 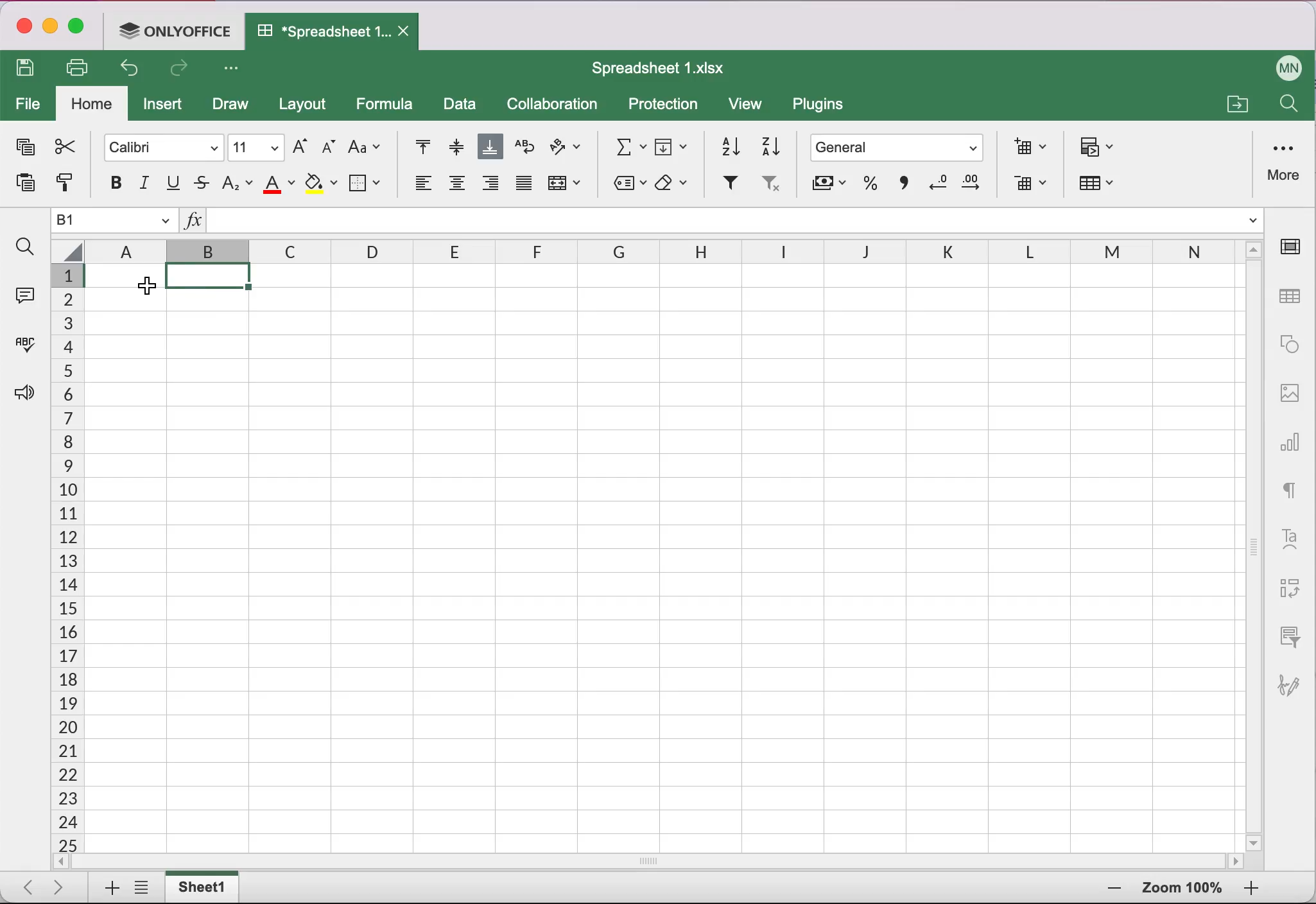 What do you see at coordinates (145, 889) in the screenshot?
I see `list of sheets` at bounding box center [145, 889].